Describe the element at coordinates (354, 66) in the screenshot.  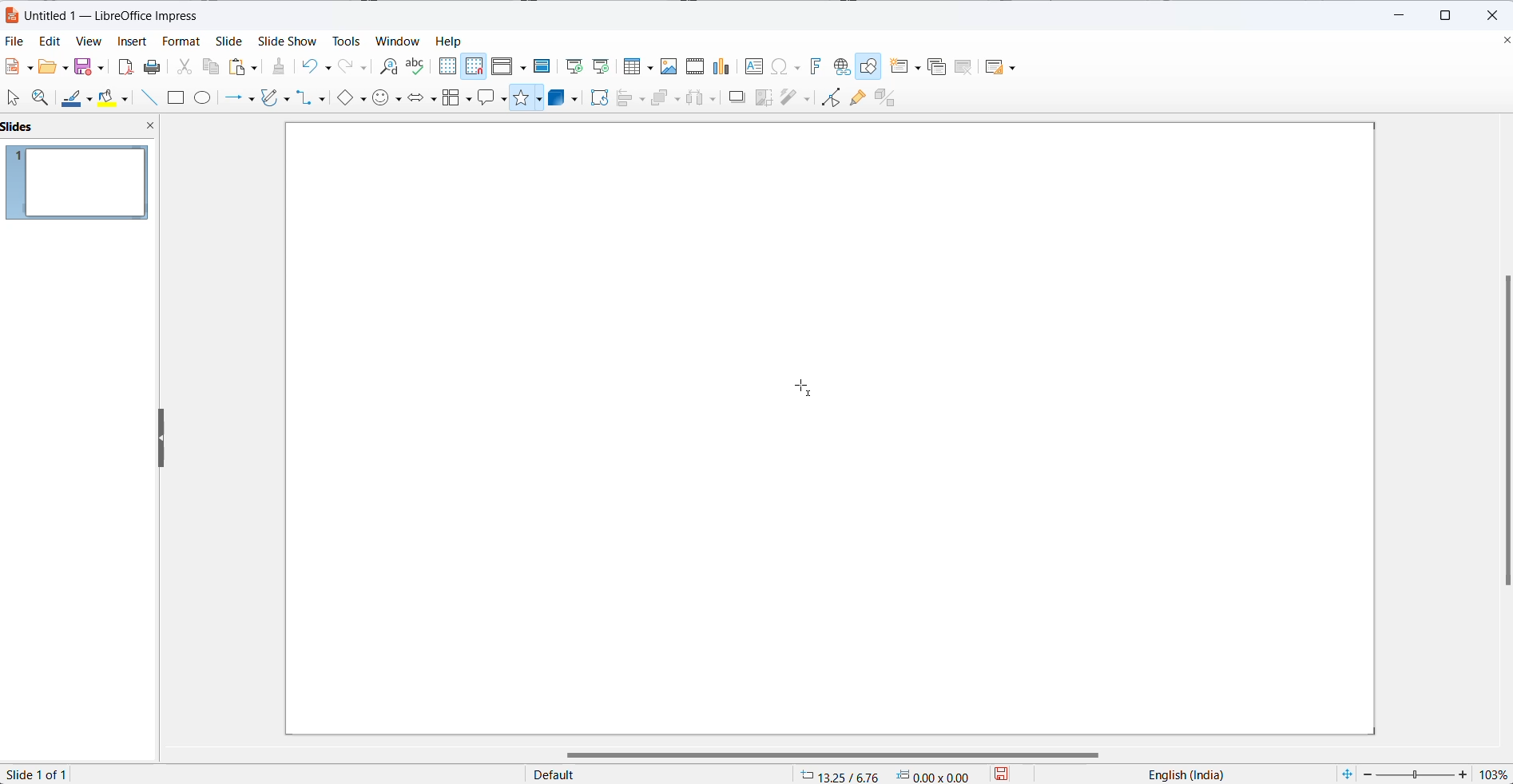
I see `redo` at that location.